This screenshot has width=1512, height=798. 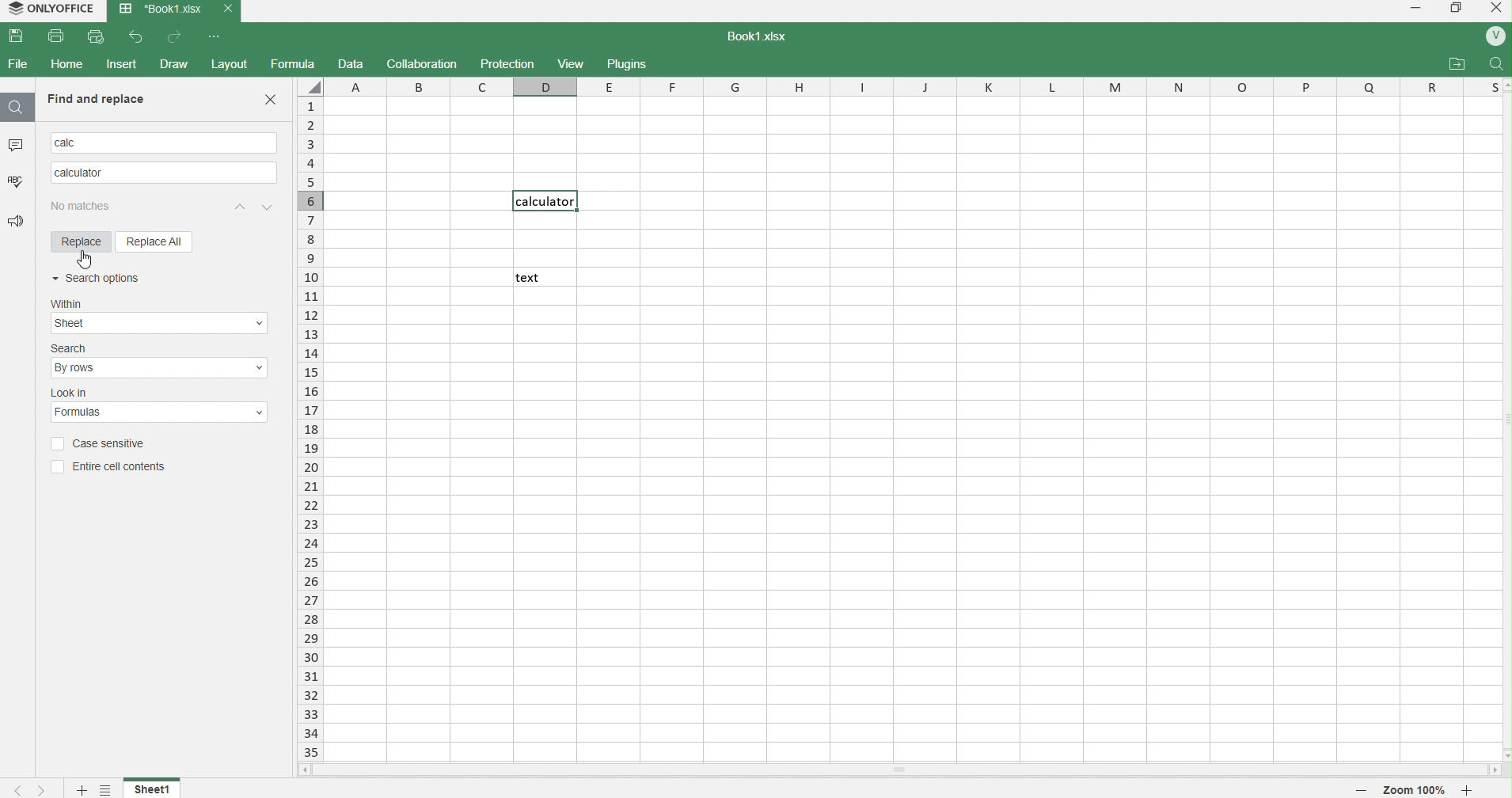 I want to click on next sheet, so click(x=40, y=788).